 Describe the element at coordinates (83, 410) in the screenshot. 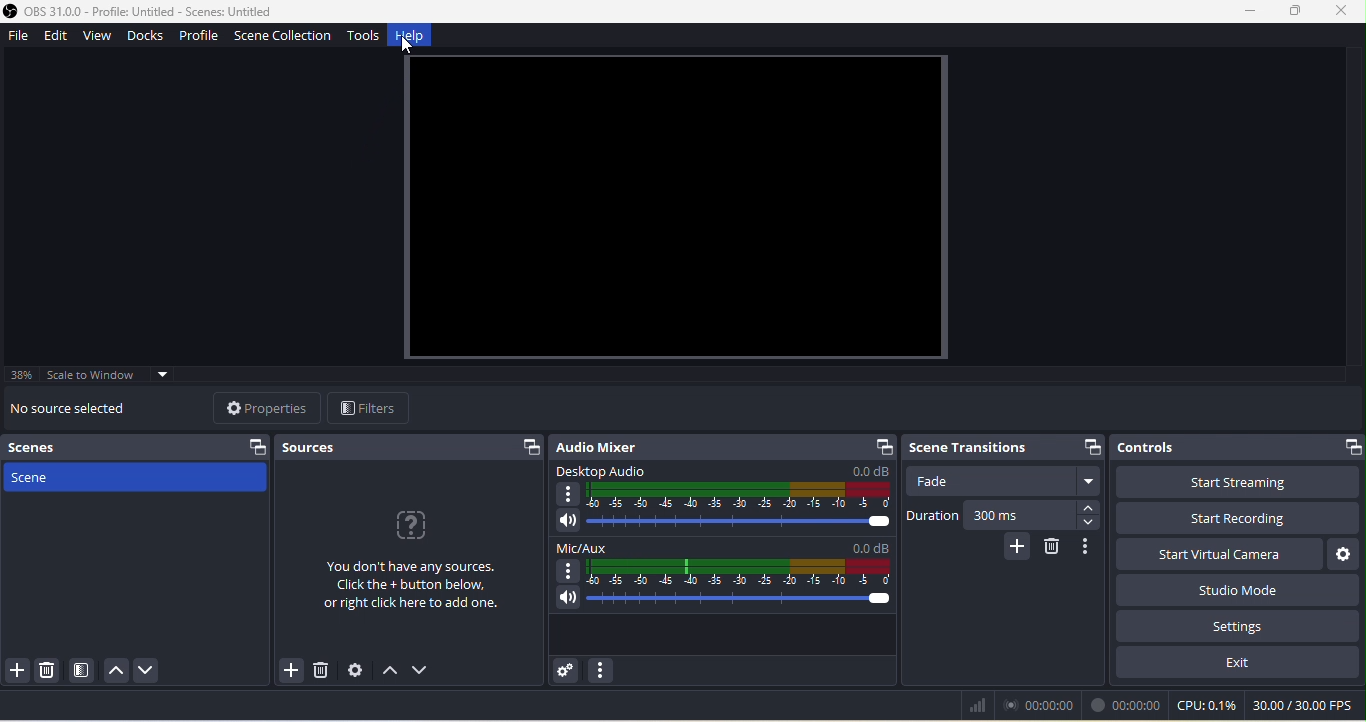

I see `no source selected` at that location.